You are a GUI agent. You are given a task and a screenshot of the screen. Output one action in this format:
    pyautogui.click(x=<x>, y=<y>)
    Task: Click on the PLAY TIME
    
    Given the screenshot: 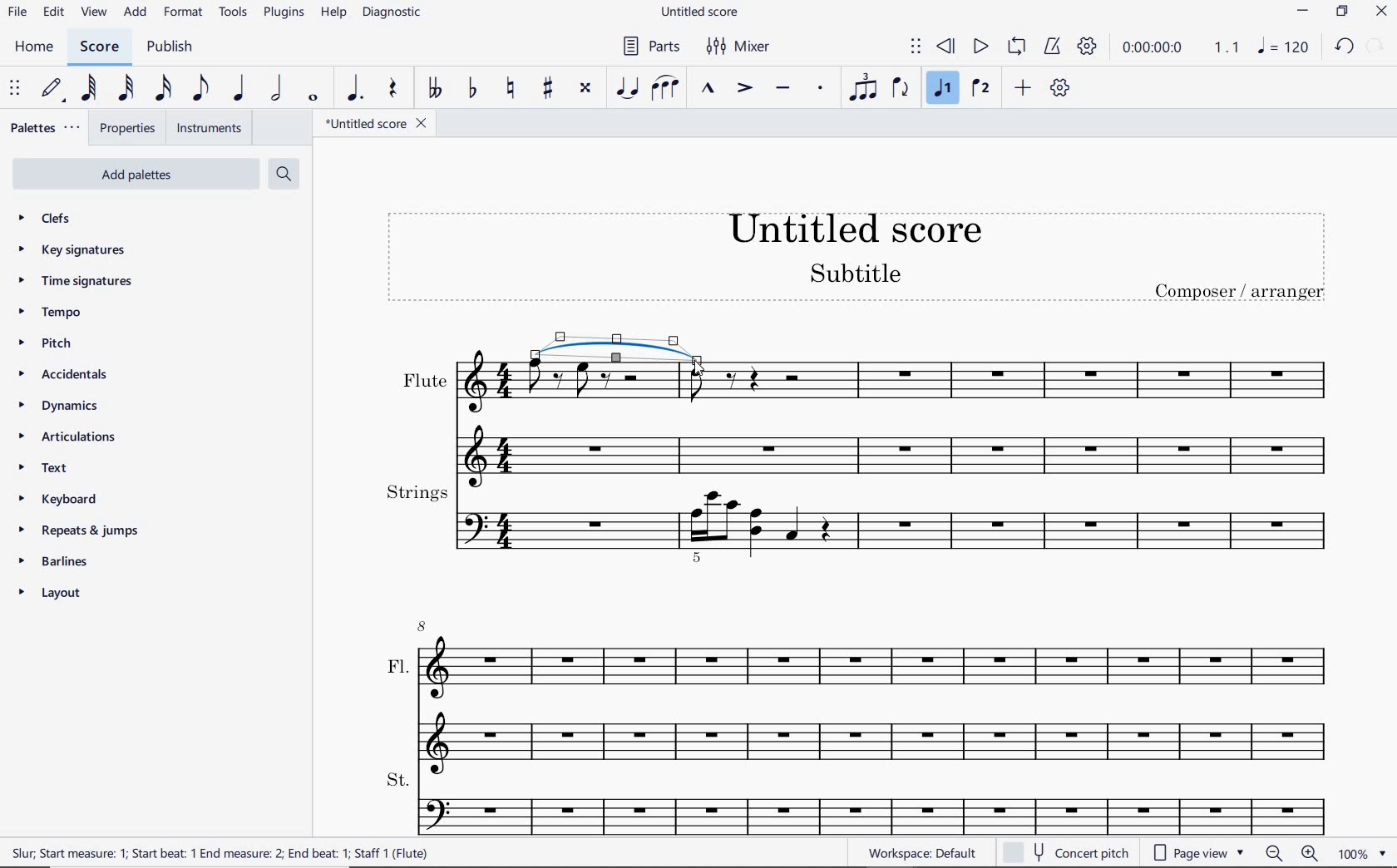 What is the action you would take?
    pyautogui.click(x=1182, y=50)
    